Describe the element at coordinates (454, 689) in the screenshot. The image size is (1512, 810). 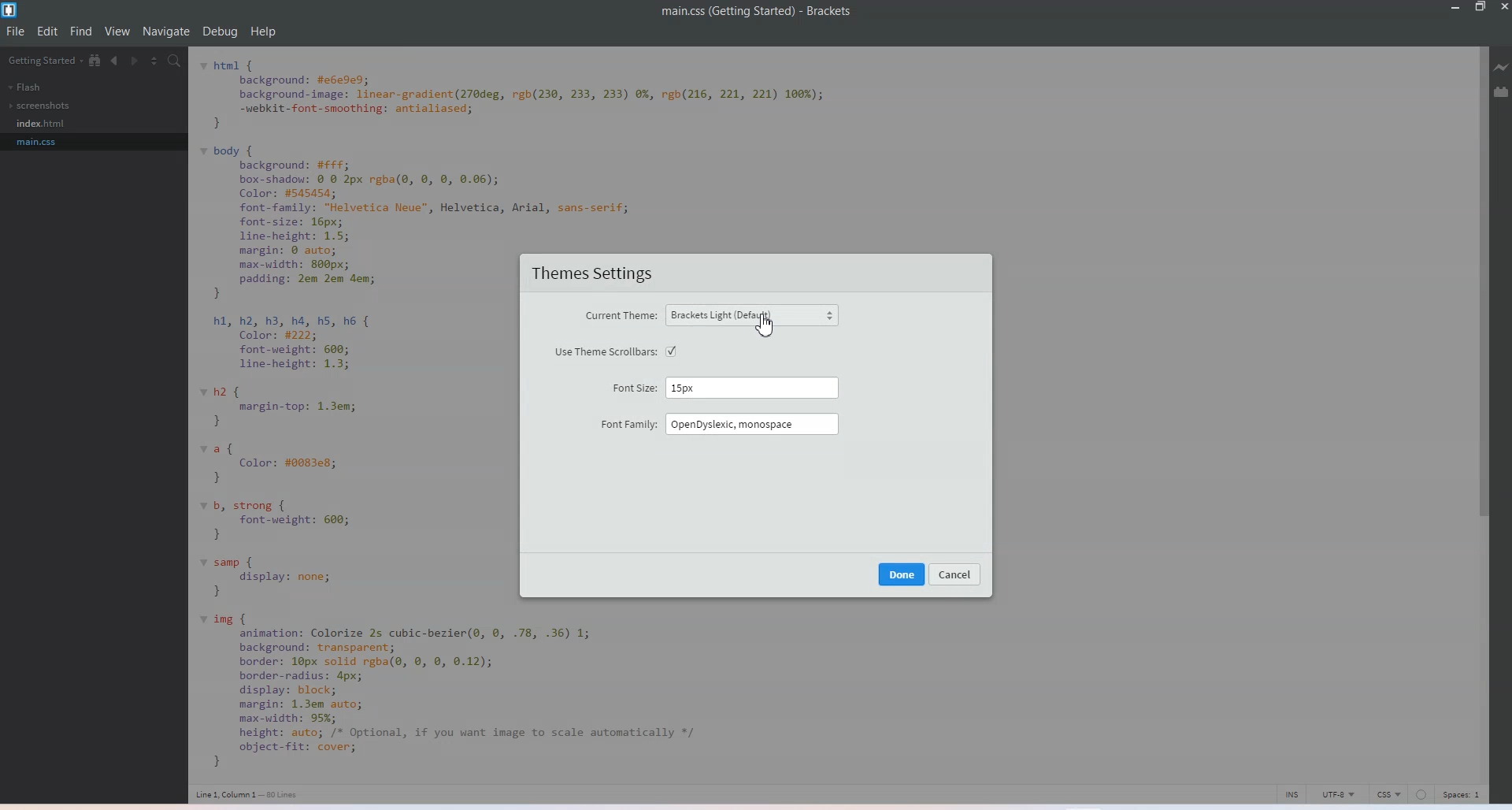
I see `code` at that location.